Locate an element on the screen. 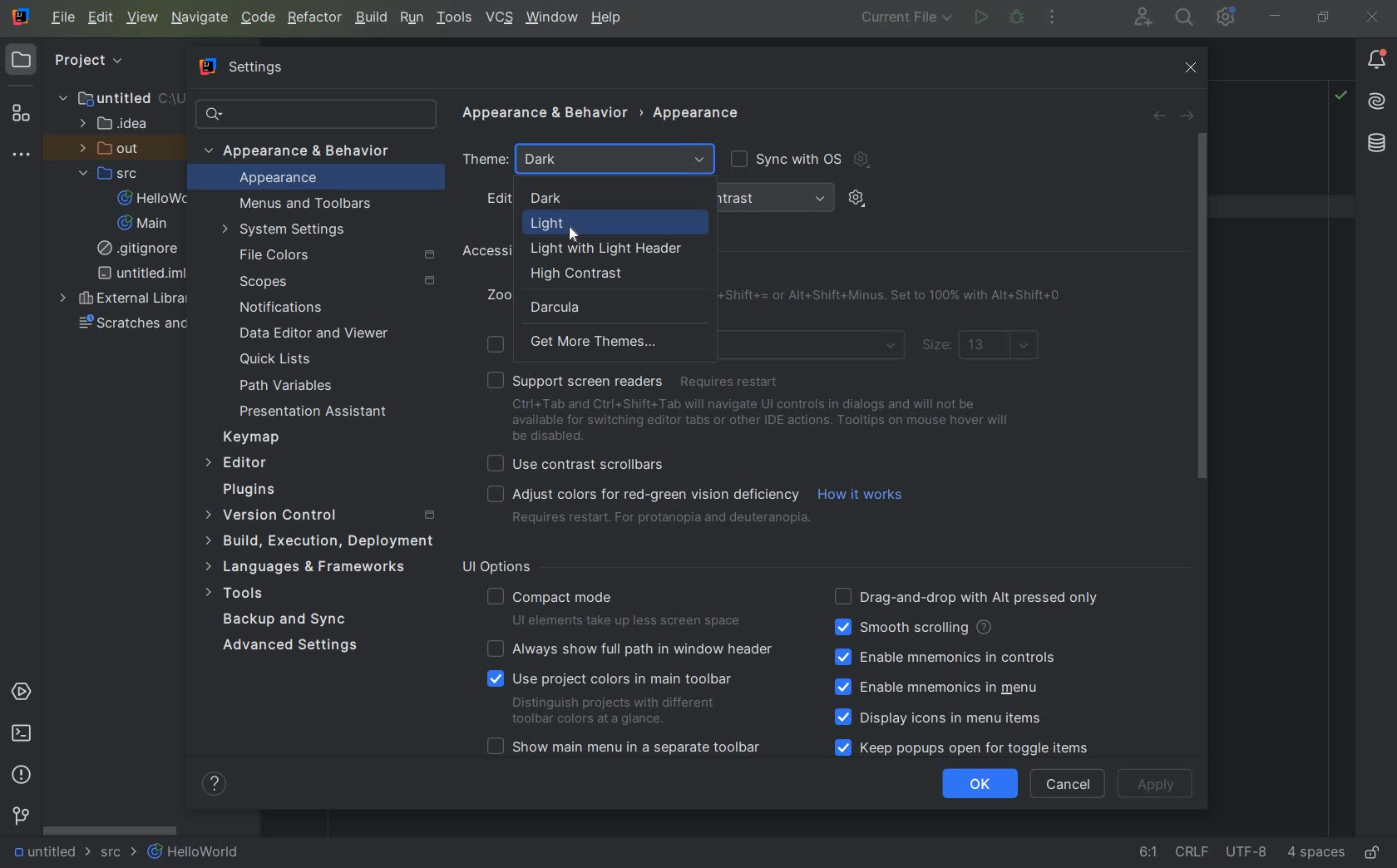  TOOLS is located at coordinates (250, 594).